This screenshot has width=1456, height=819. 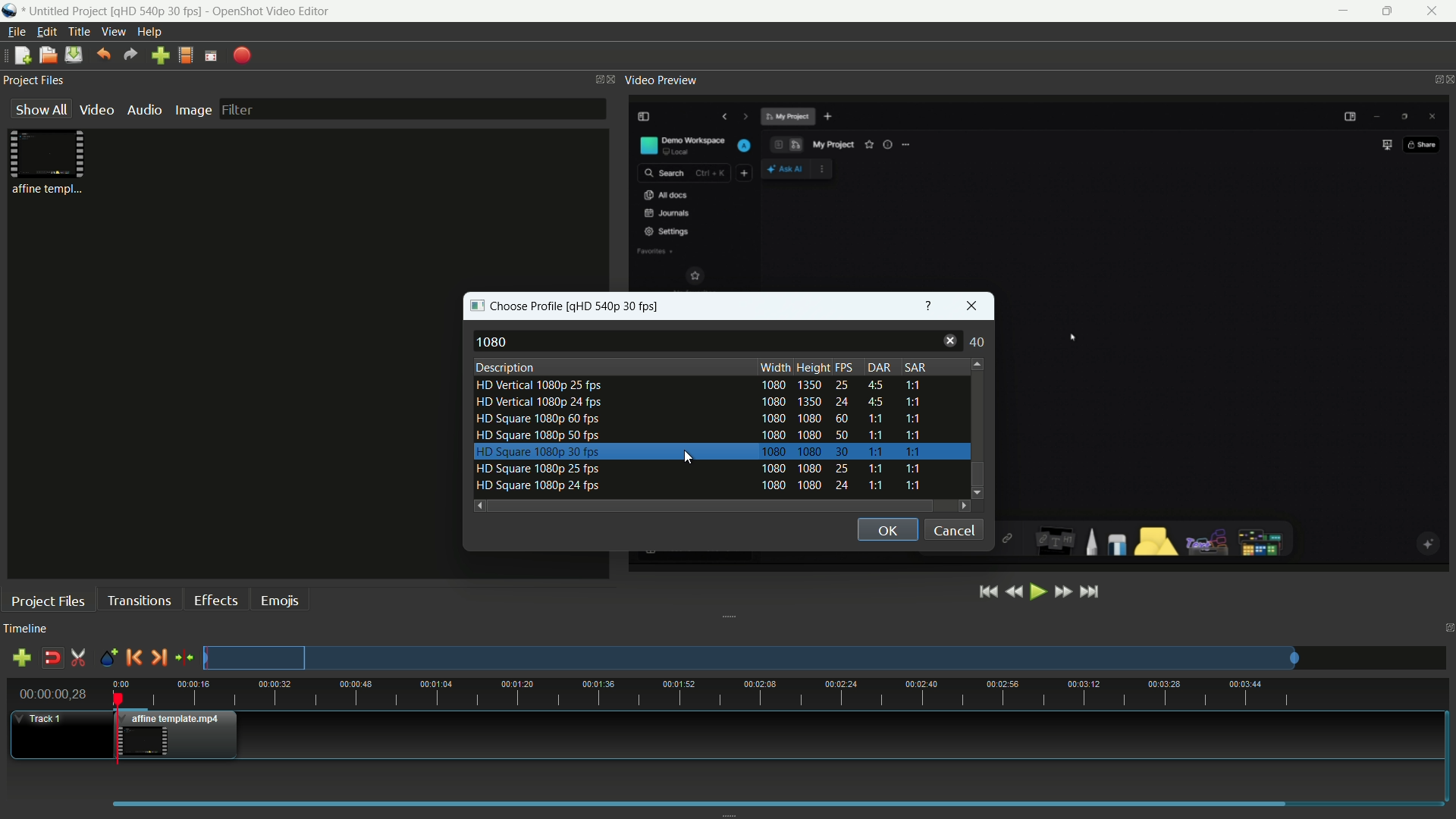 I want to click on time, so click(x=784, y=693).